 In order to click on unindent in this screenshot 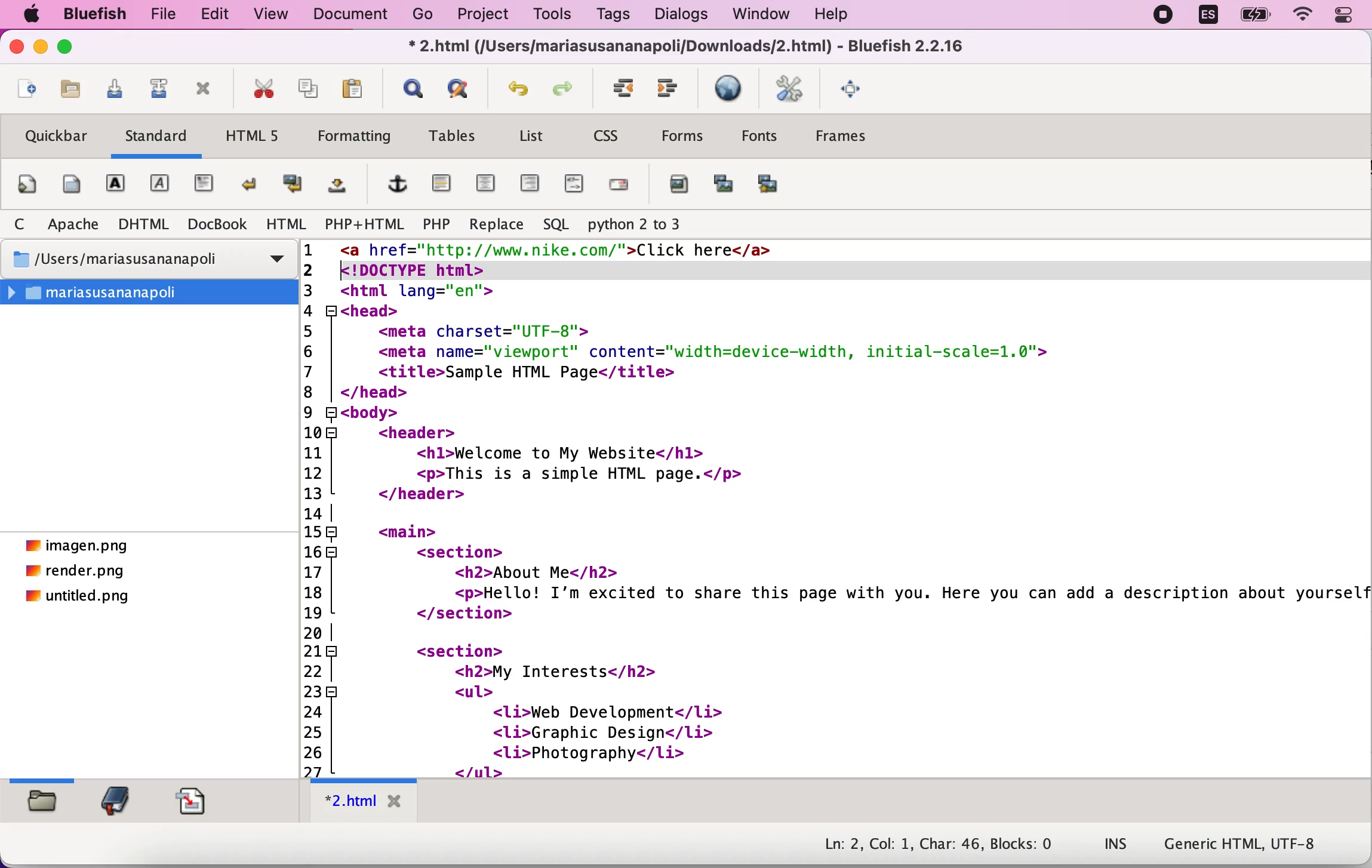, I will do `click(627, 90)`.